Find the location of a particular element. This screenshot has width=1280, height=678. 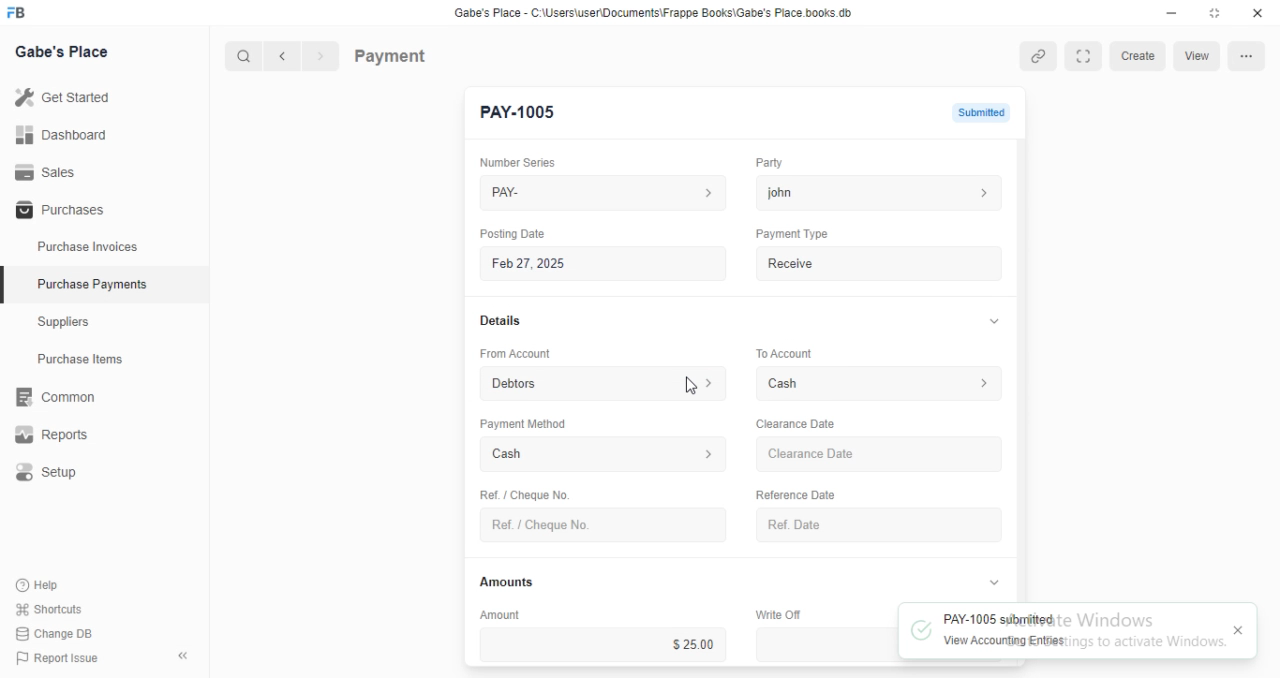

PAY- is located at coordinates (605, 193).